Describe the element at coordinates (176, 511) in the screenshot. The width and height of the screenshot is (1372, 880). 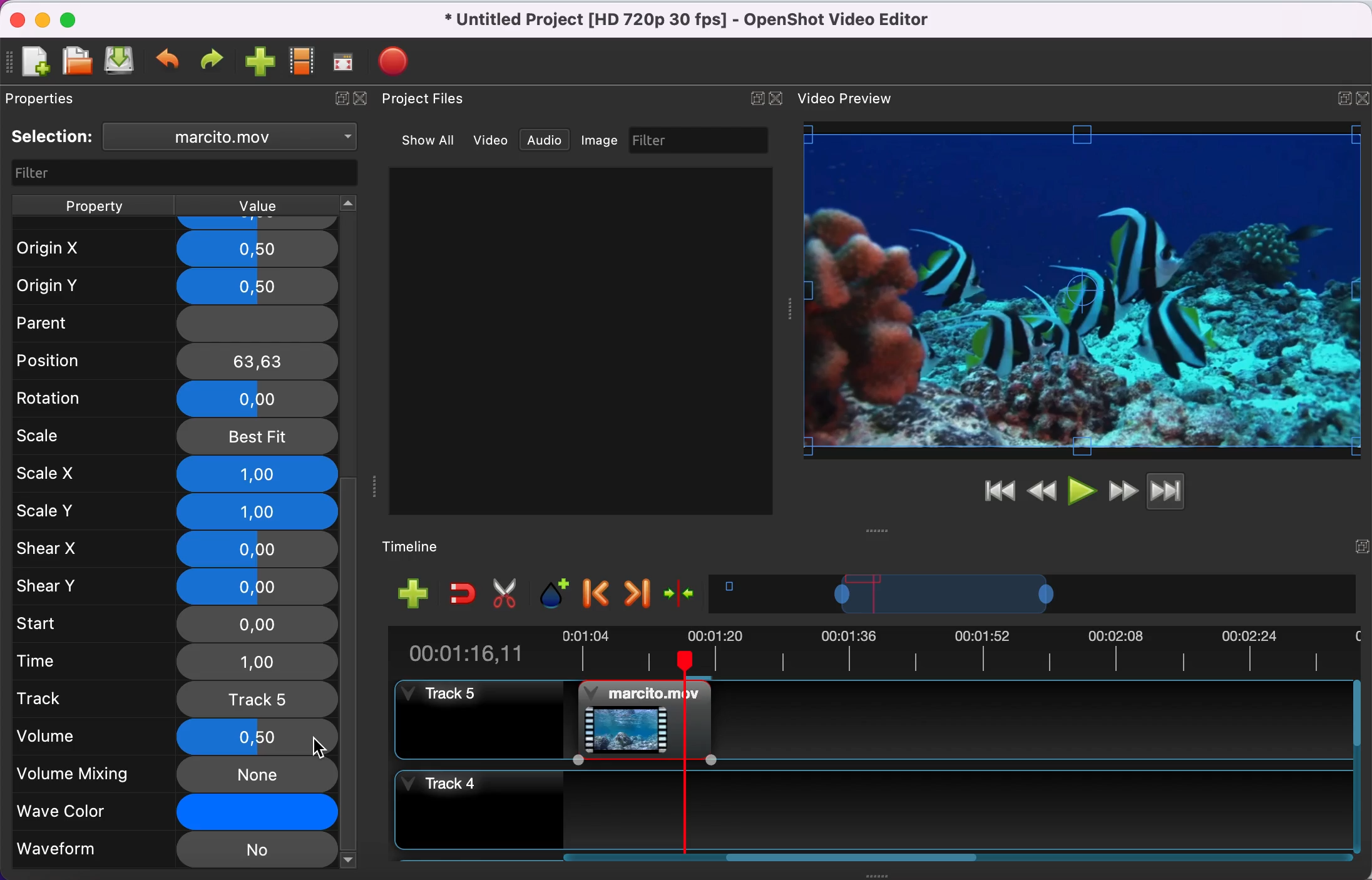
I see `scale y 1` at that location.